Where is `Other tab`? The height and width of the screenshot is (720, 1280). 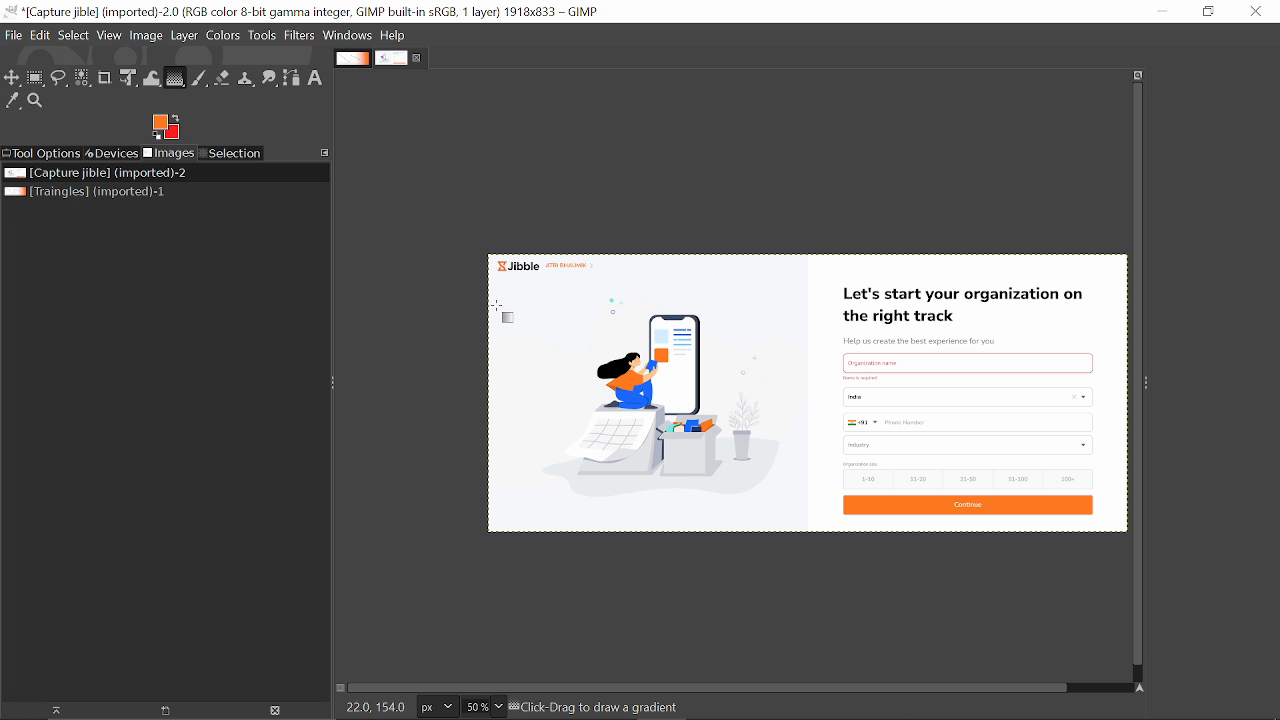 Other tab is located at coordinates (352, 58).